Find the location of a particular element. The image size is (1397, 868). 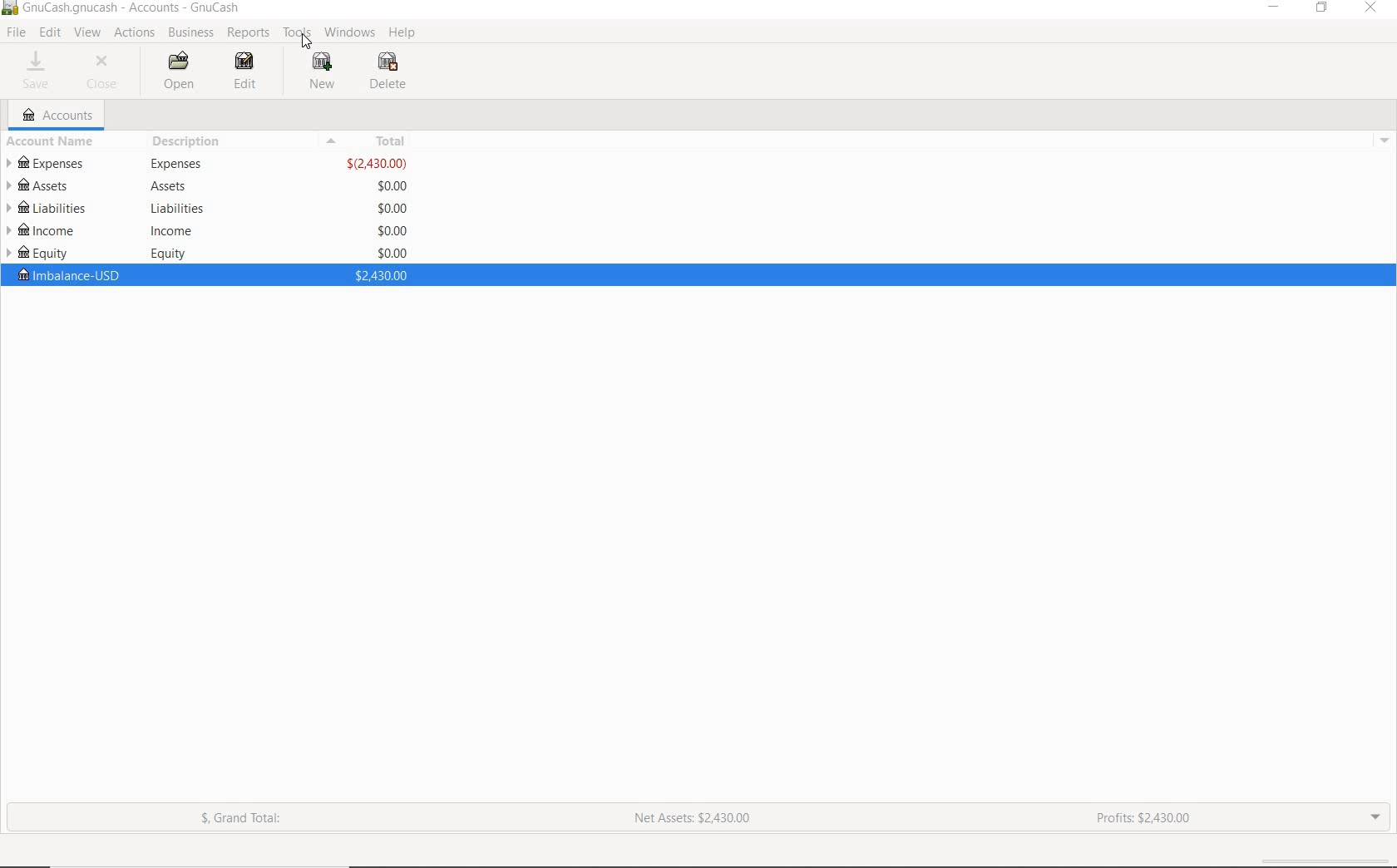

ACCOUNTS is located at coordinates (59, 116).